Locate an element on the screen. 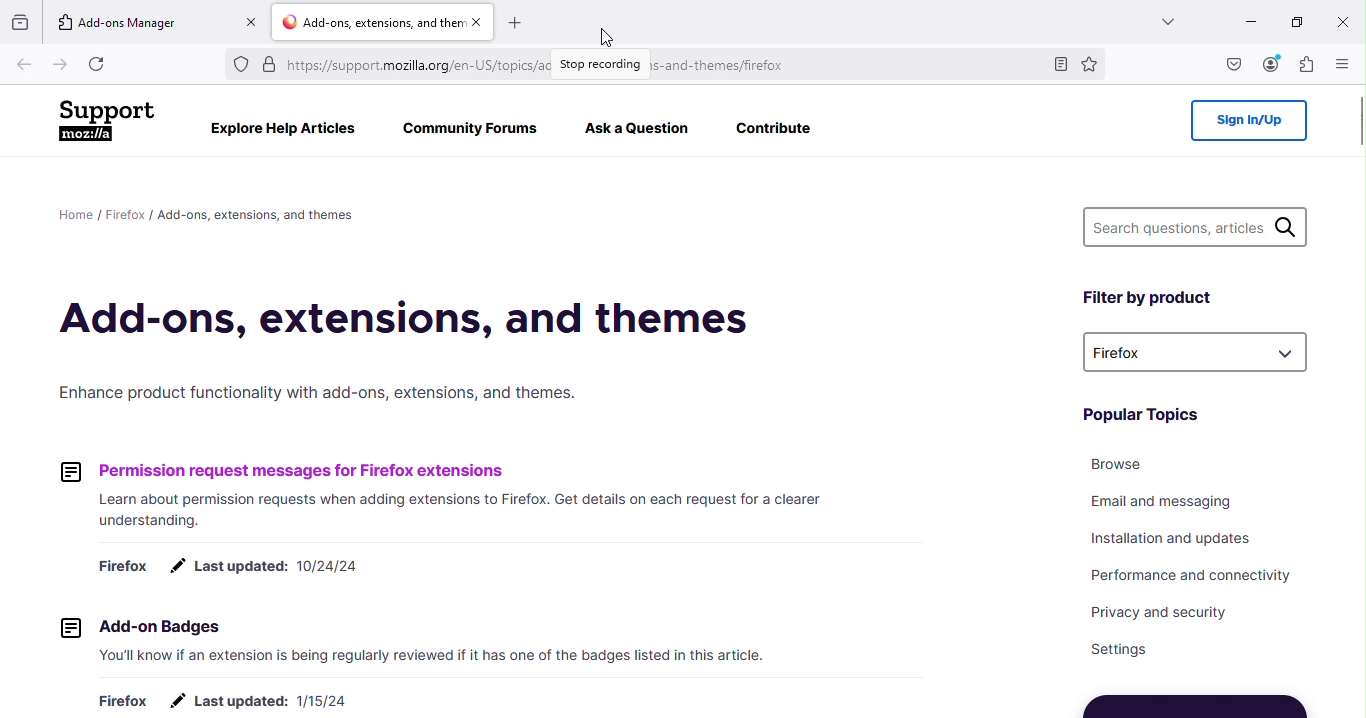  Installation and updates. is located at coordinates (1167, 543).